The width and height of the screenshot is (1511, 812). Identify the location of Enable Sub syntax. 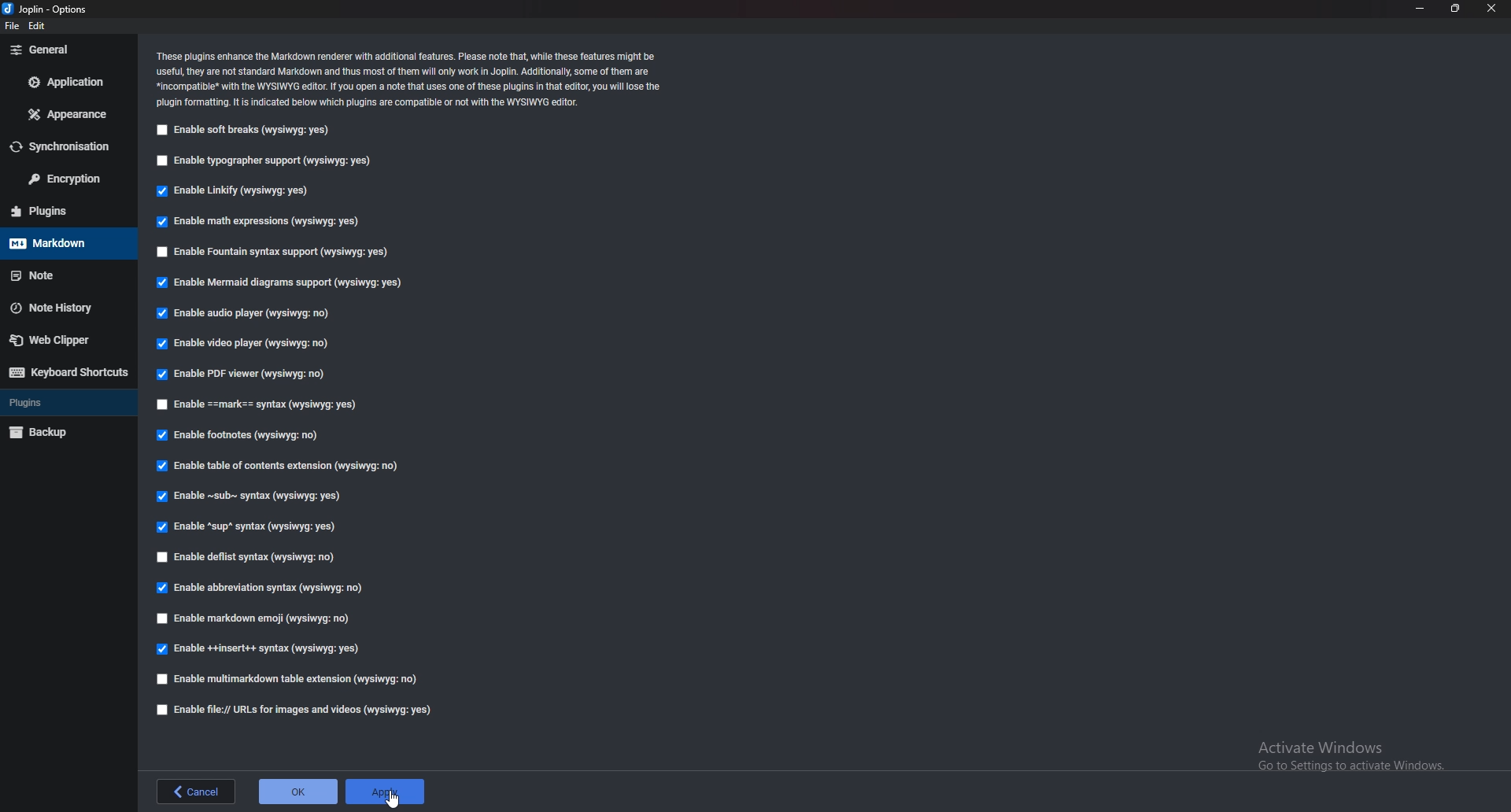
(252, 495).